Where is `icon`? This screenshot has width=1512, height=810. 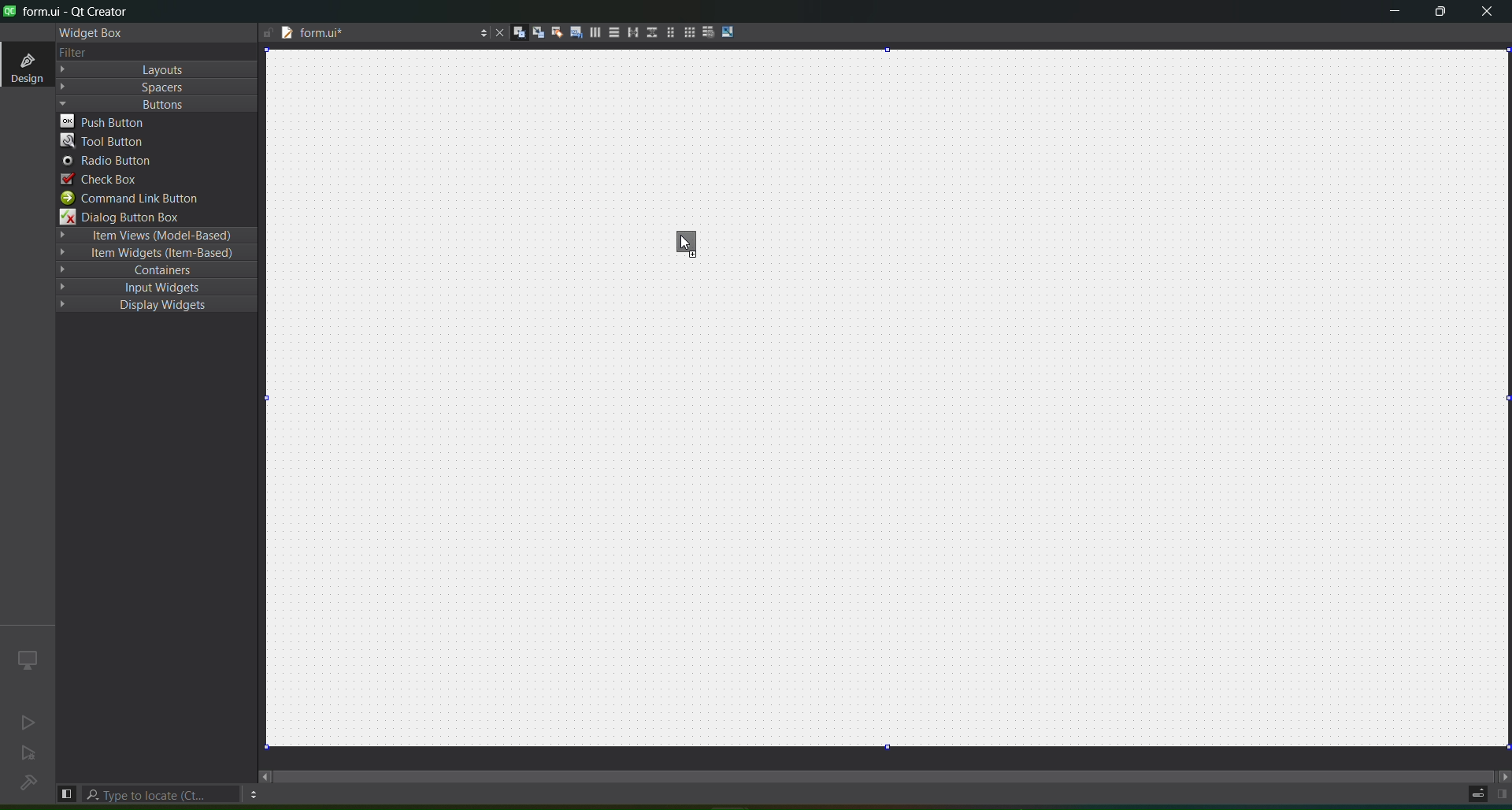
icon is located at coordinates (28, 659).